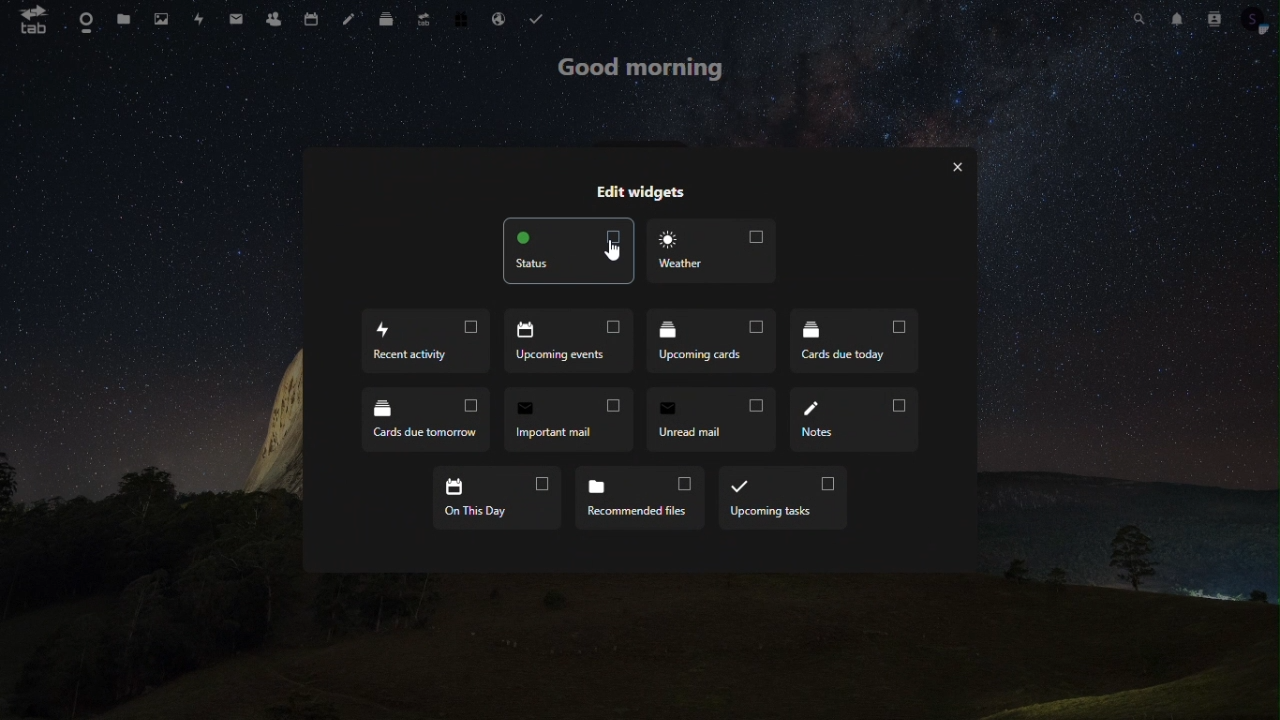  What do you see at coordinates (166, 20) in the screenshot?
I see `image` at bounding box center [166, 20].